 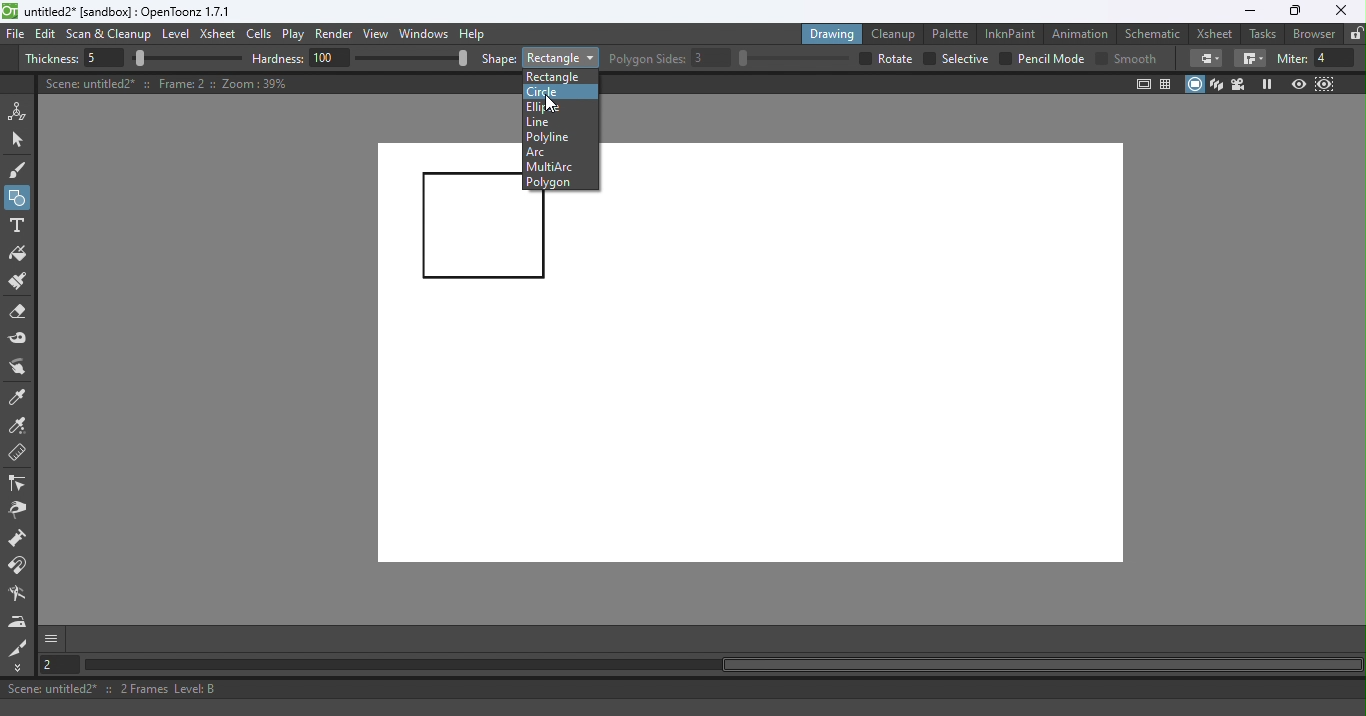 What do you see at coordinates (109, 36) in the screenshot?
I see `Scan & Cleanup` at bounding box center [109, 36].